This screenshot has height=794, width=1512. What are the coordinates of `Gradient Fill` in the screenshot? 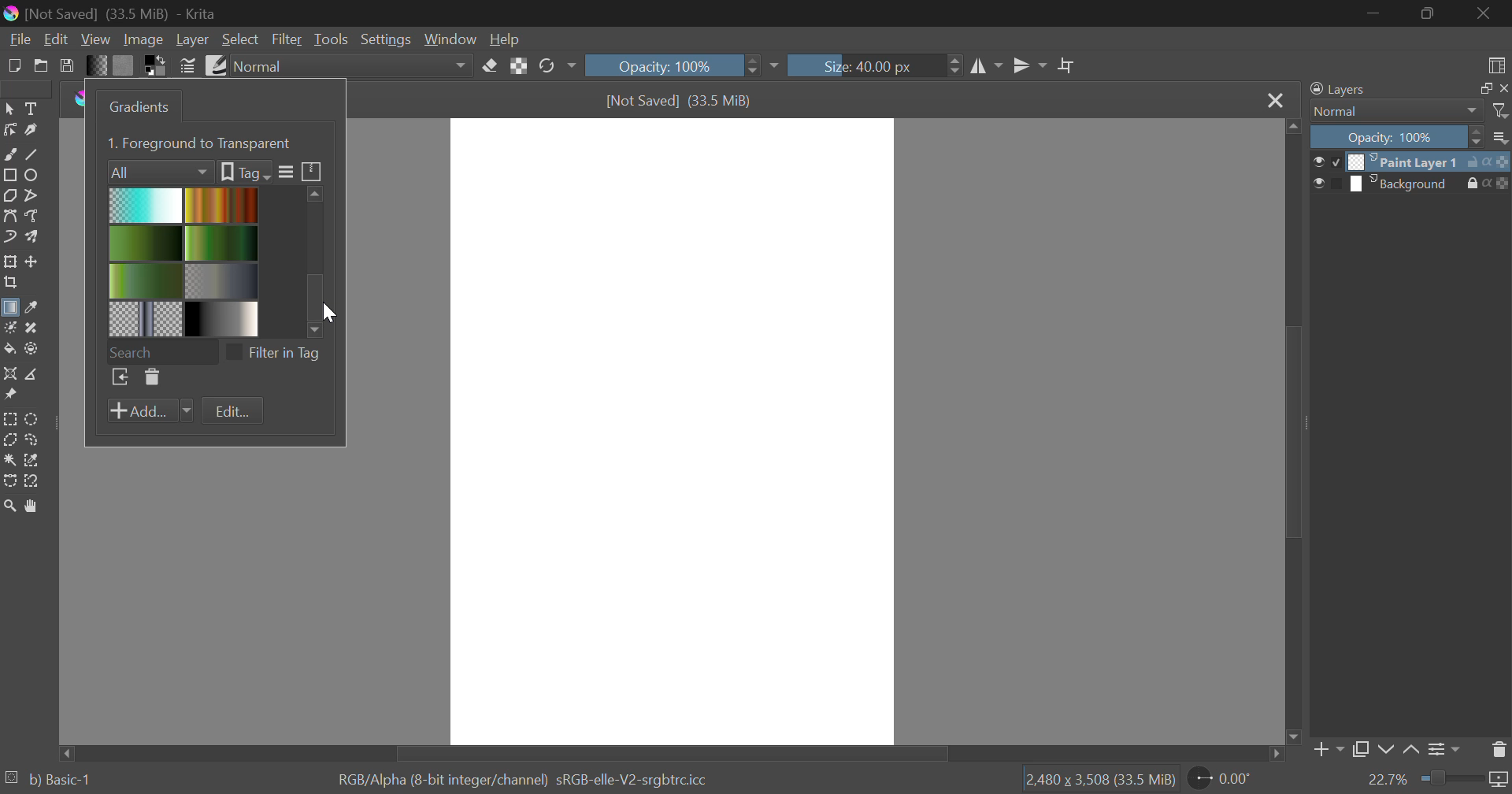 It's located at (9, 310).